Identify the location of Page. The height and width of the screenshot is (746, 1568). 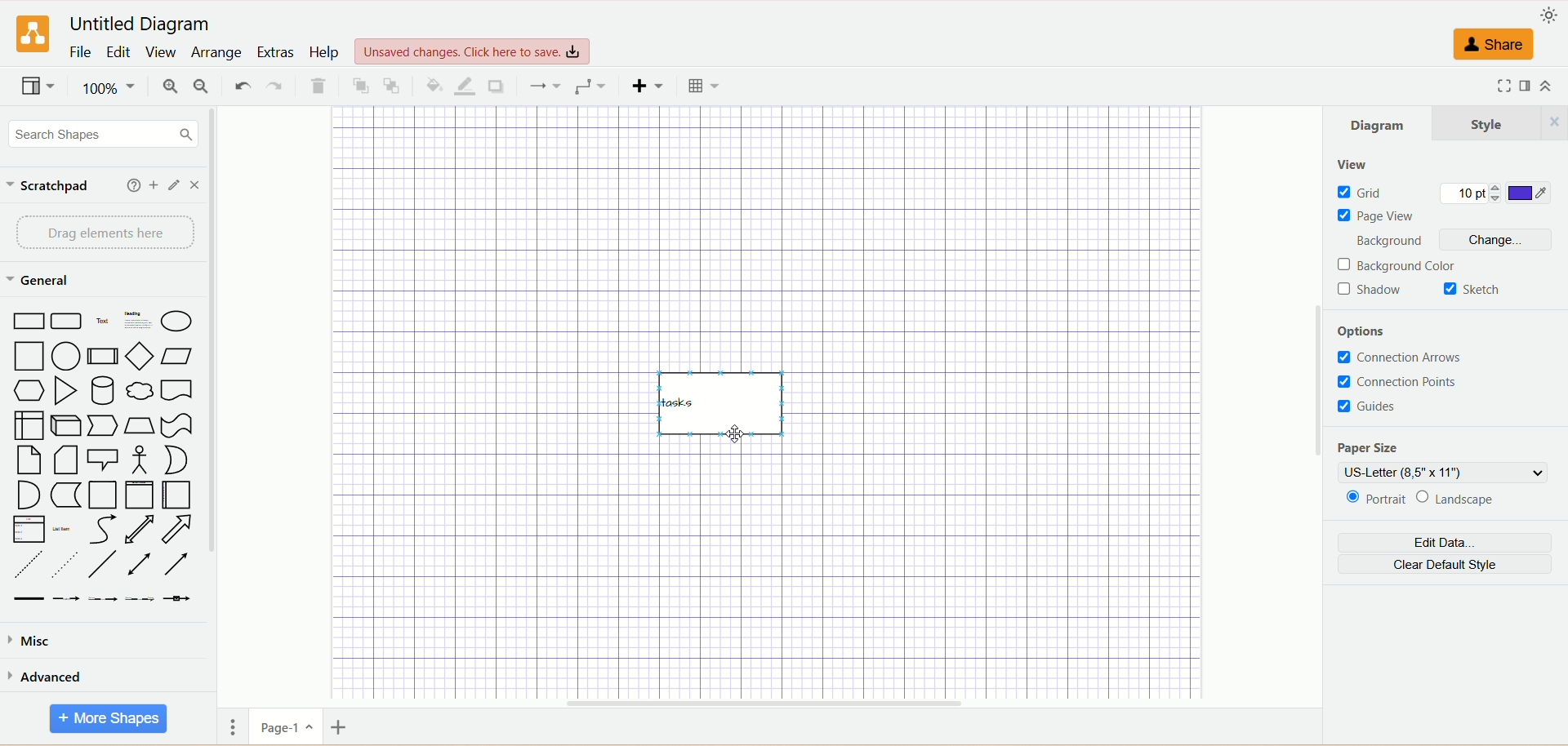
(102, 495).